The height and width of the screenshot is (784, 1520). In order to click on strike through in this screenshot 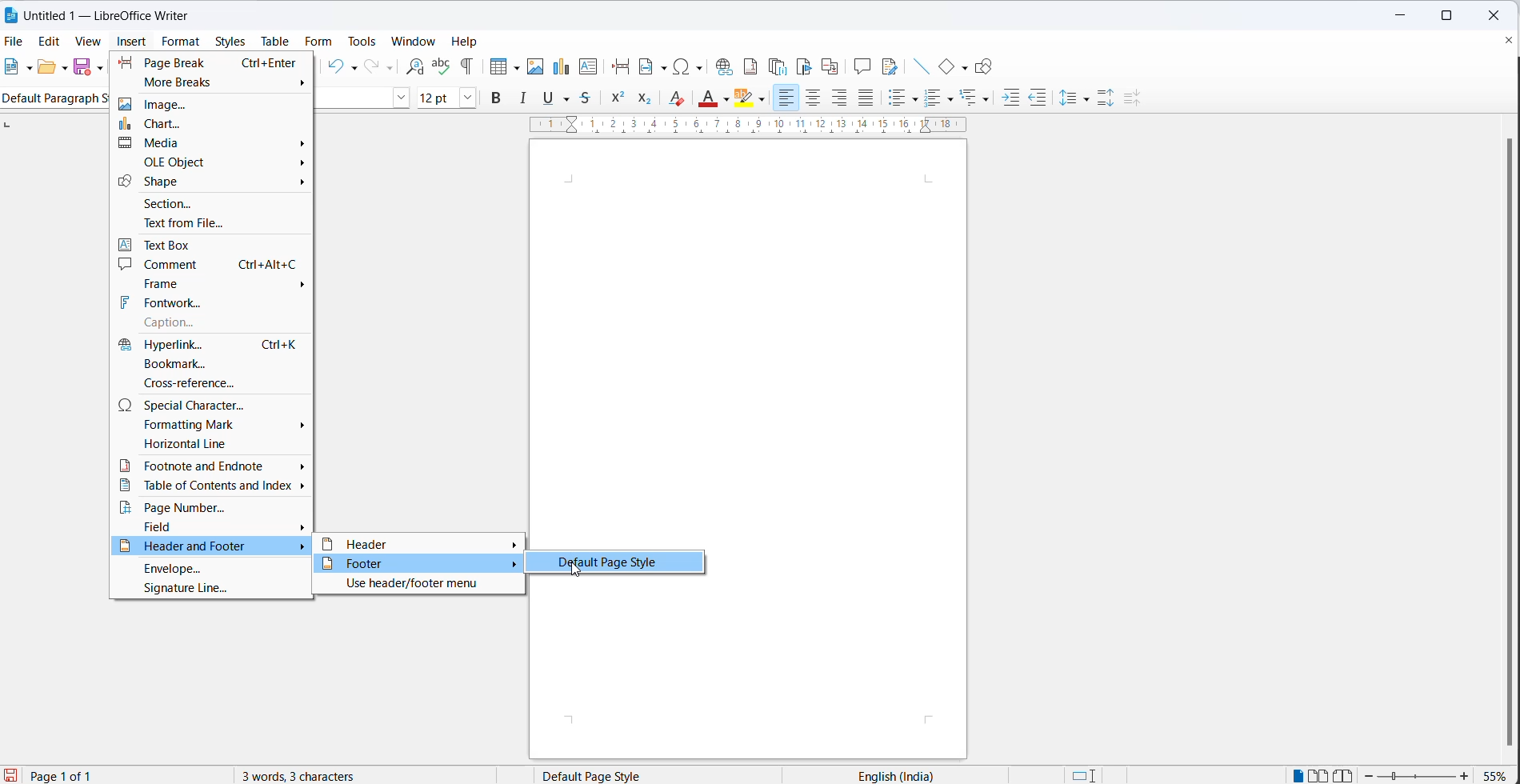, I will do `click(569, 98)`.